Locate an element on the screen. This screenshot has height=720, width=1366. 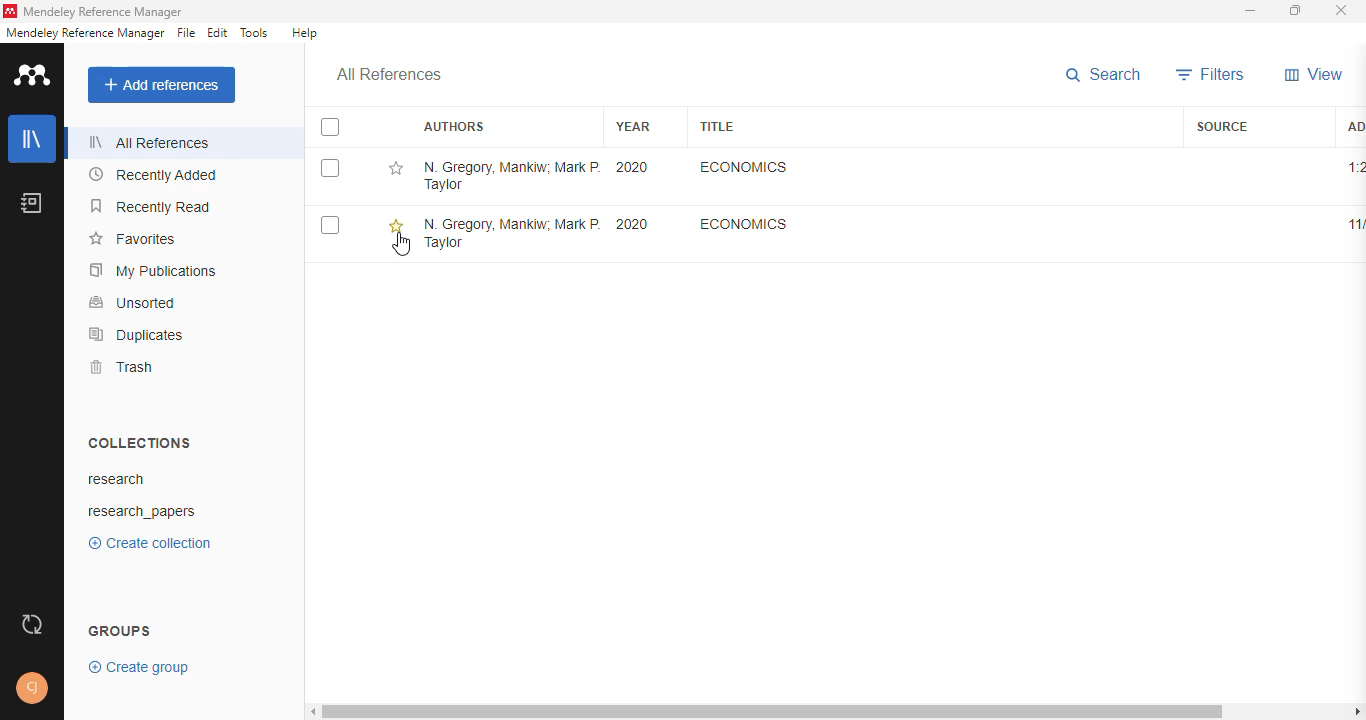
file is located at coordinates (186, 32).